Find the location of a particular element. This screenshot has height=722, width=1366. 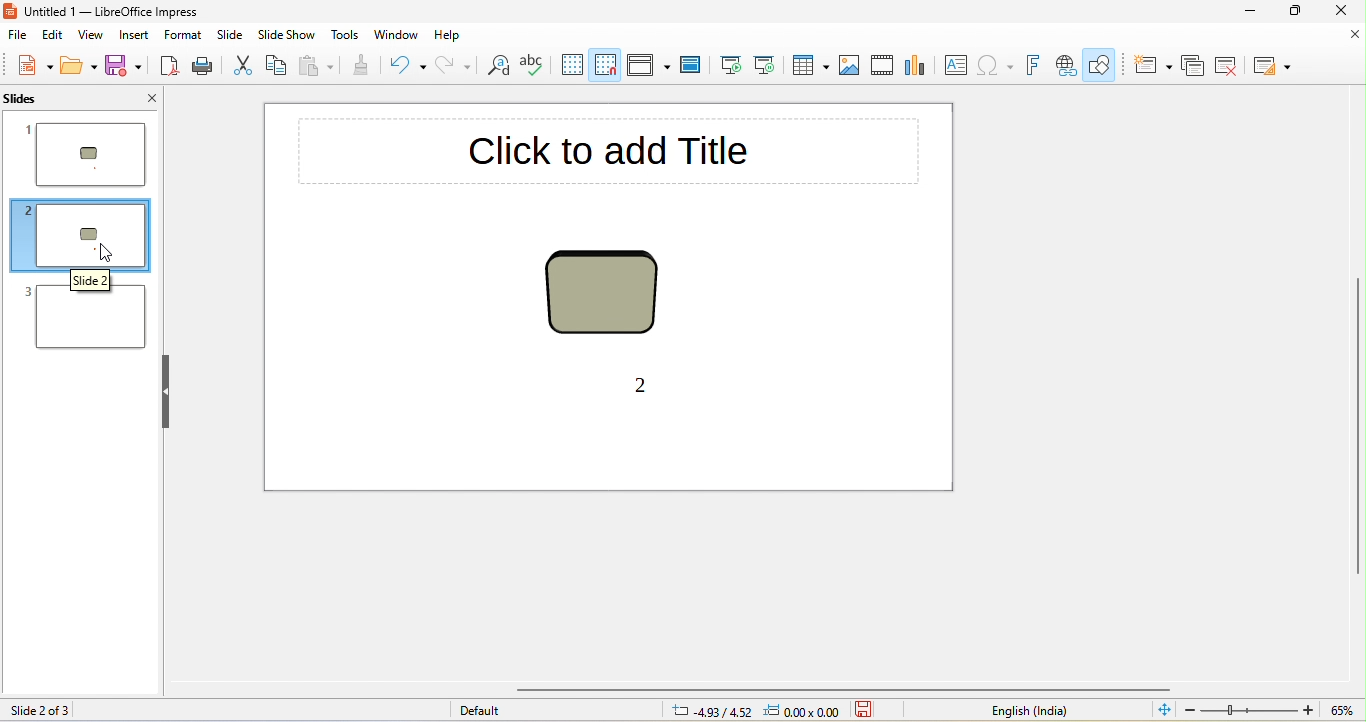

fontwork text is located at coordinates (1032, 67).